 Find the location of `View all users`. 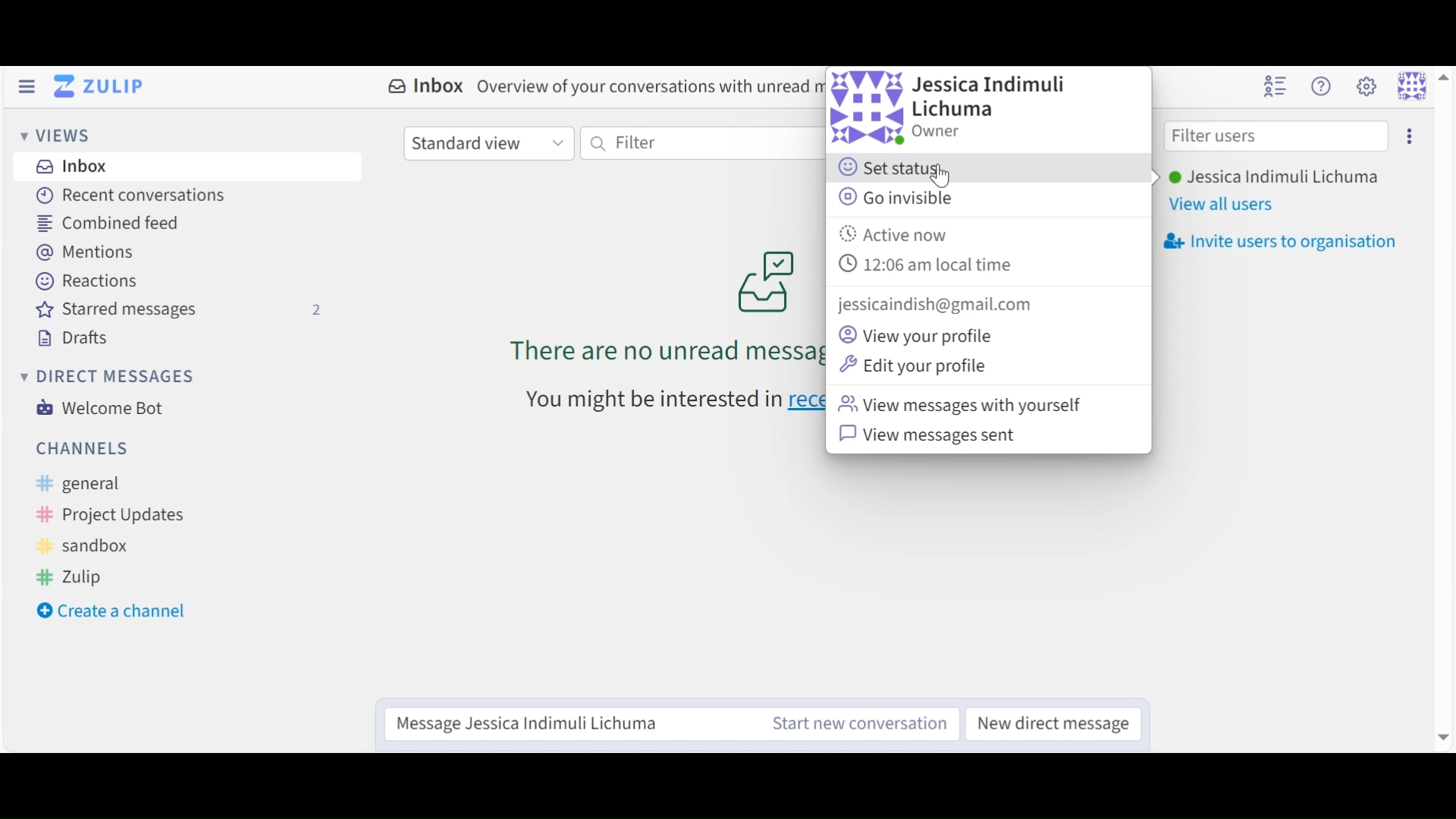

View all users is located at coordinates (1222, 206).